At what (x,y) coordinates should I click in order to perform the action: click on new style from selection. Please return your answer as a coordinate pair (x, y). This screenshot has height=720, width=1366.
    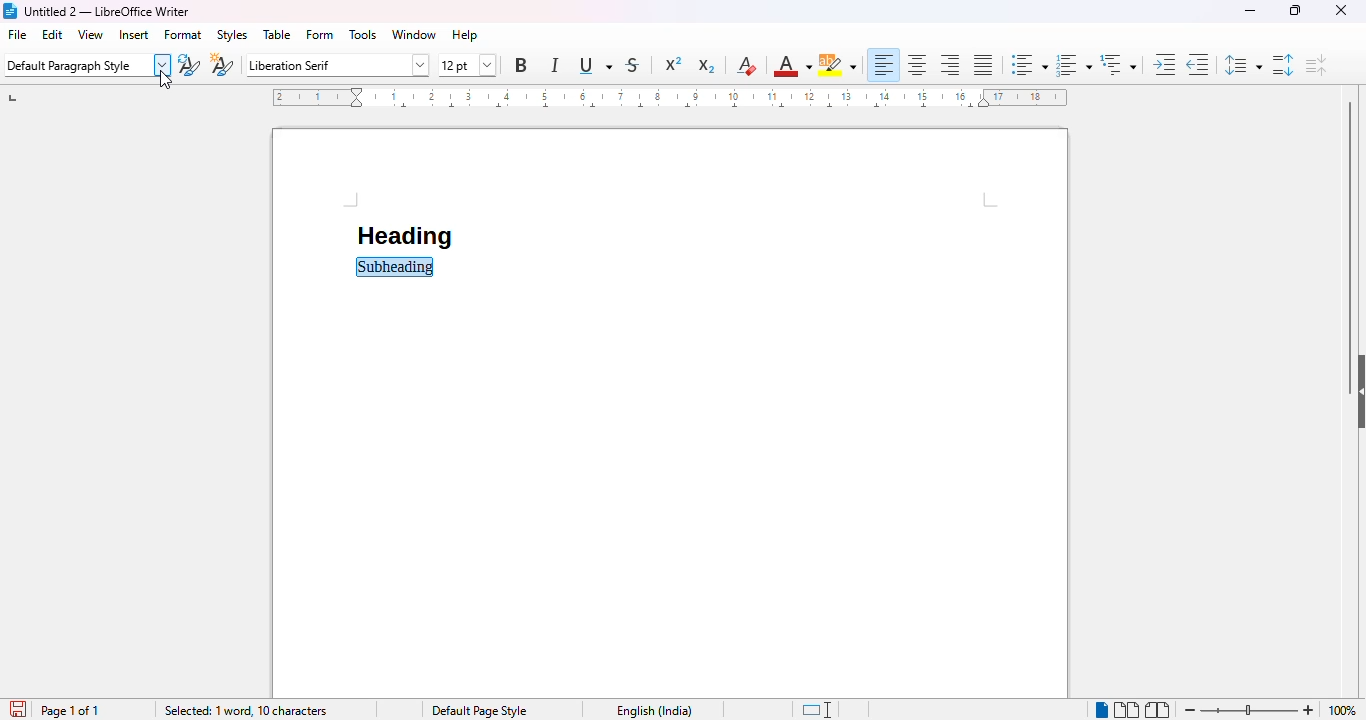
    Looking at the image, I should click on (222, 65).